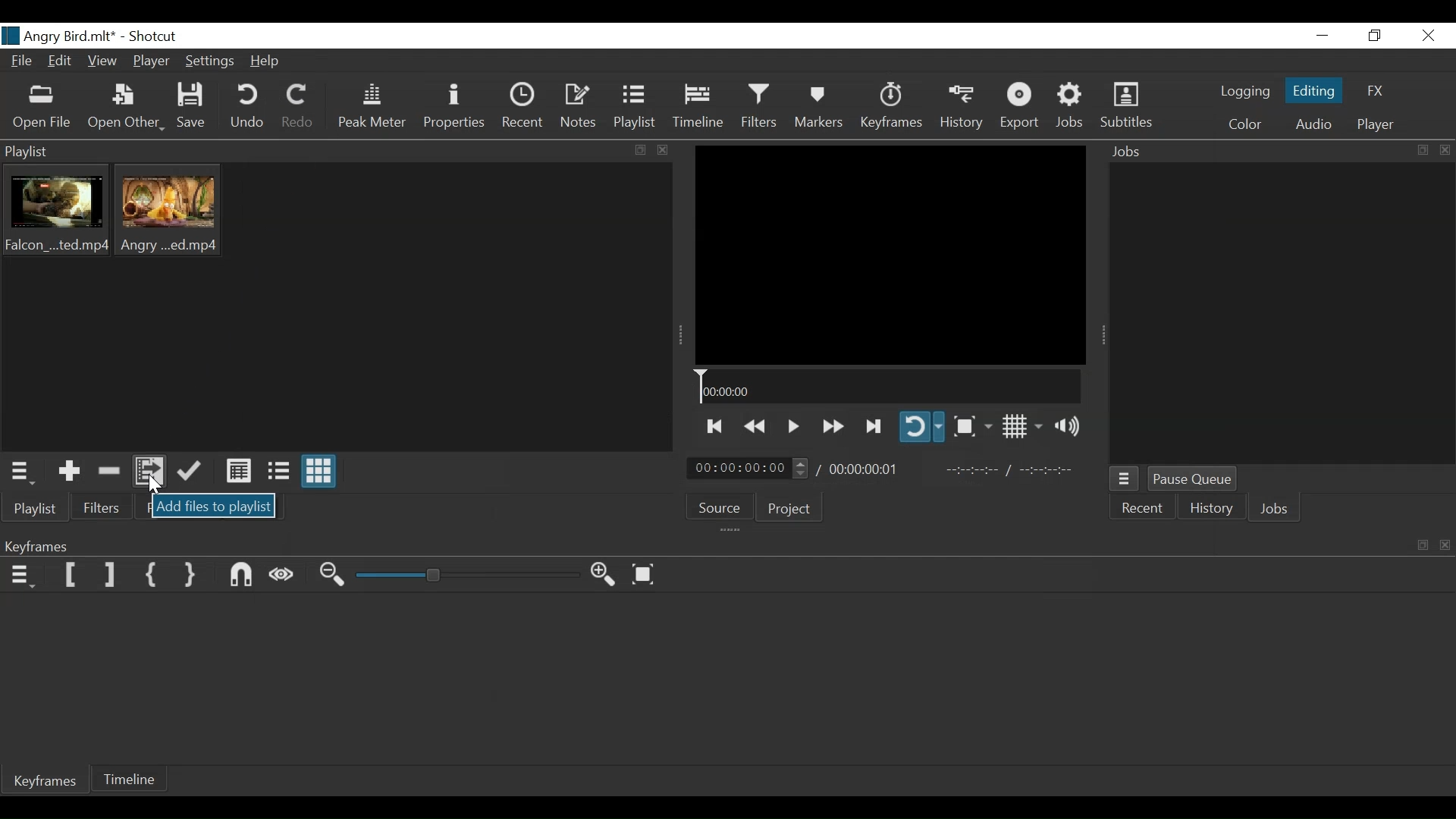 This screenshot has width=1456, height=819. What do you see at coordinates (111, 575) in the screenshot?
I see `Set Filter Last` at bounding box center [111, 575].